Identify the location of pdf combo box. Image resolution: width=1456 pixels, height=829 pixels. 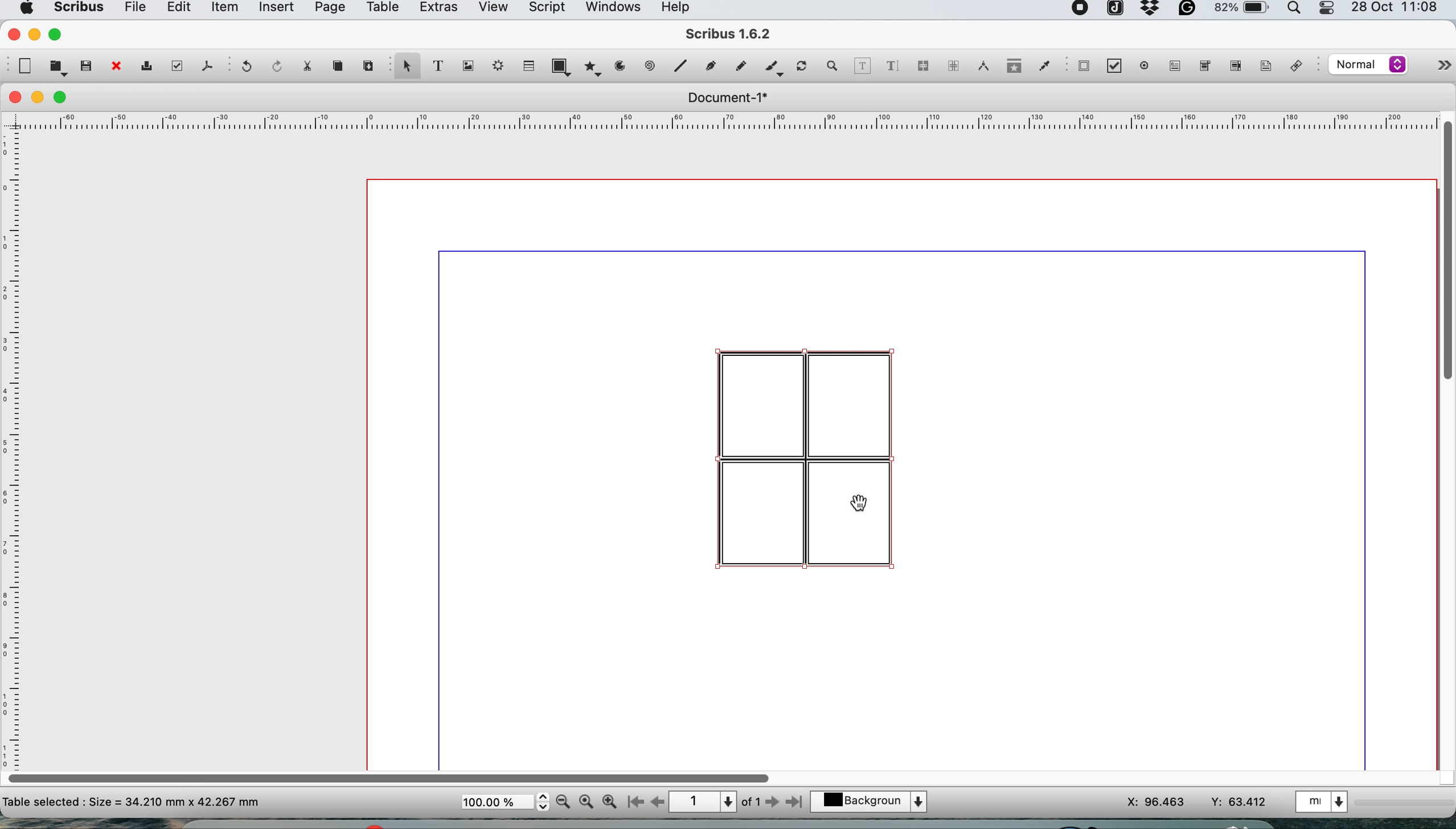
(1203, 69).